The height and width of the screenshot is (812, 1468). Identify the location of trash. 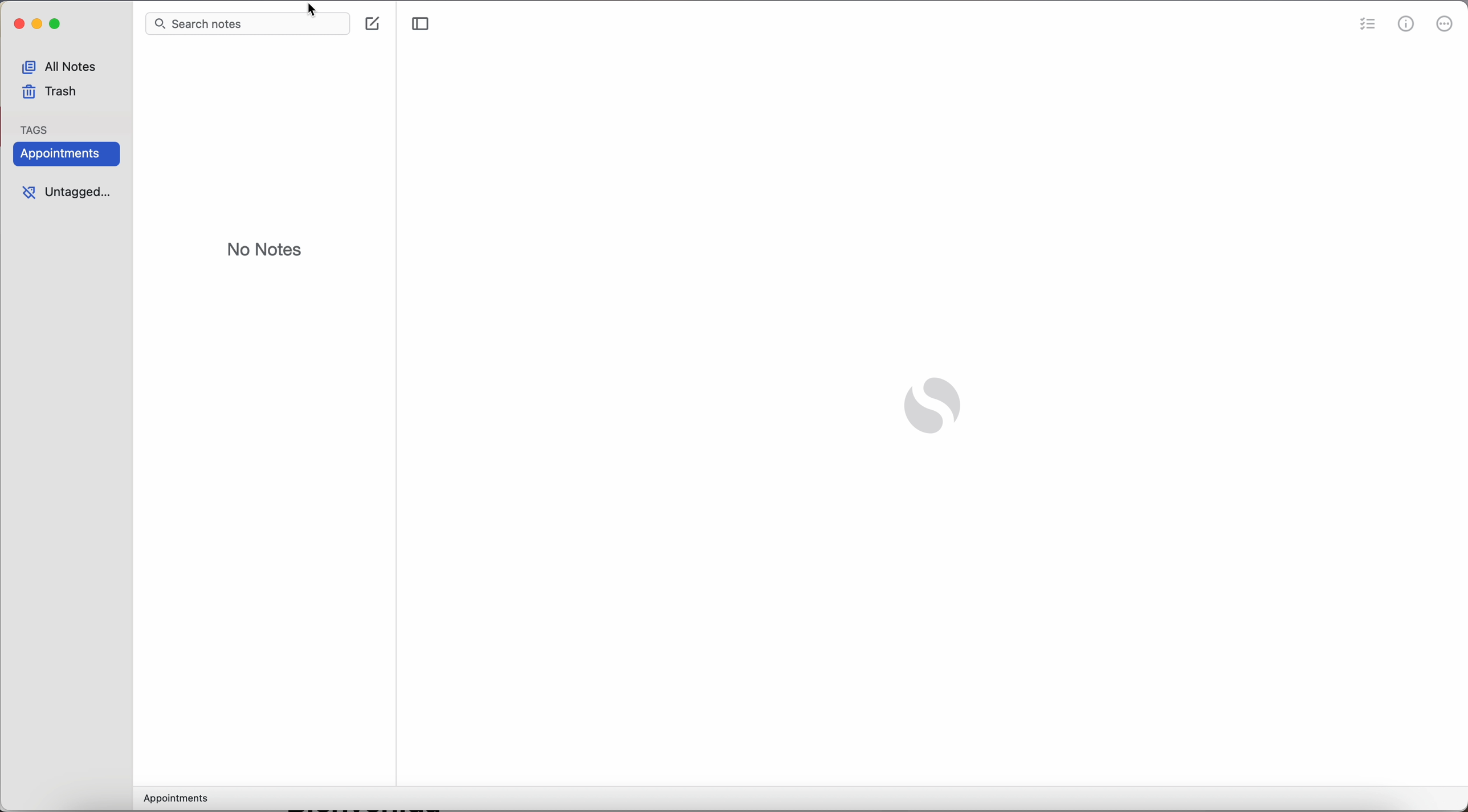
(50, 94).